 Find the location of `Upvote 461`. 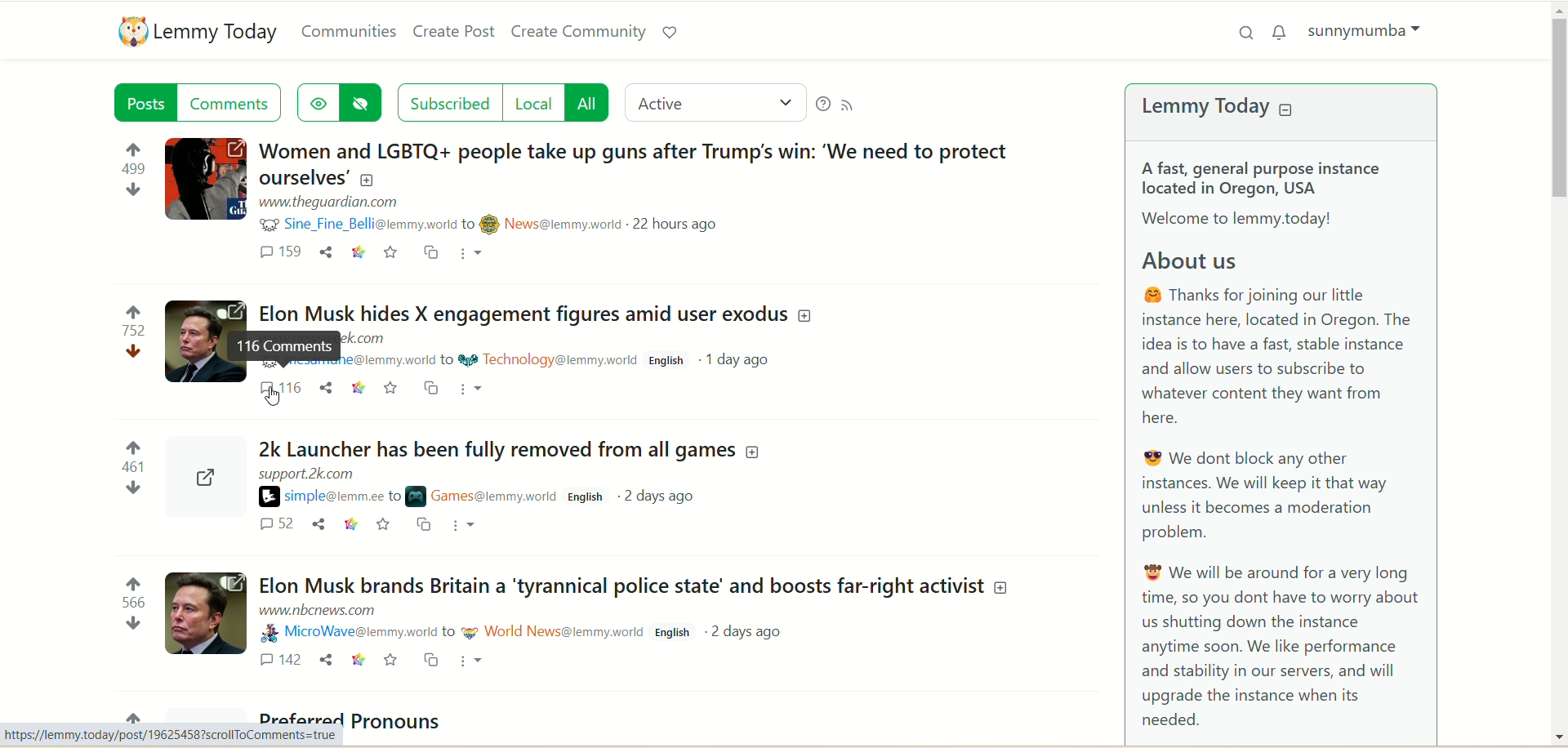

Upvote 461 is located at coordinates (133, 456).